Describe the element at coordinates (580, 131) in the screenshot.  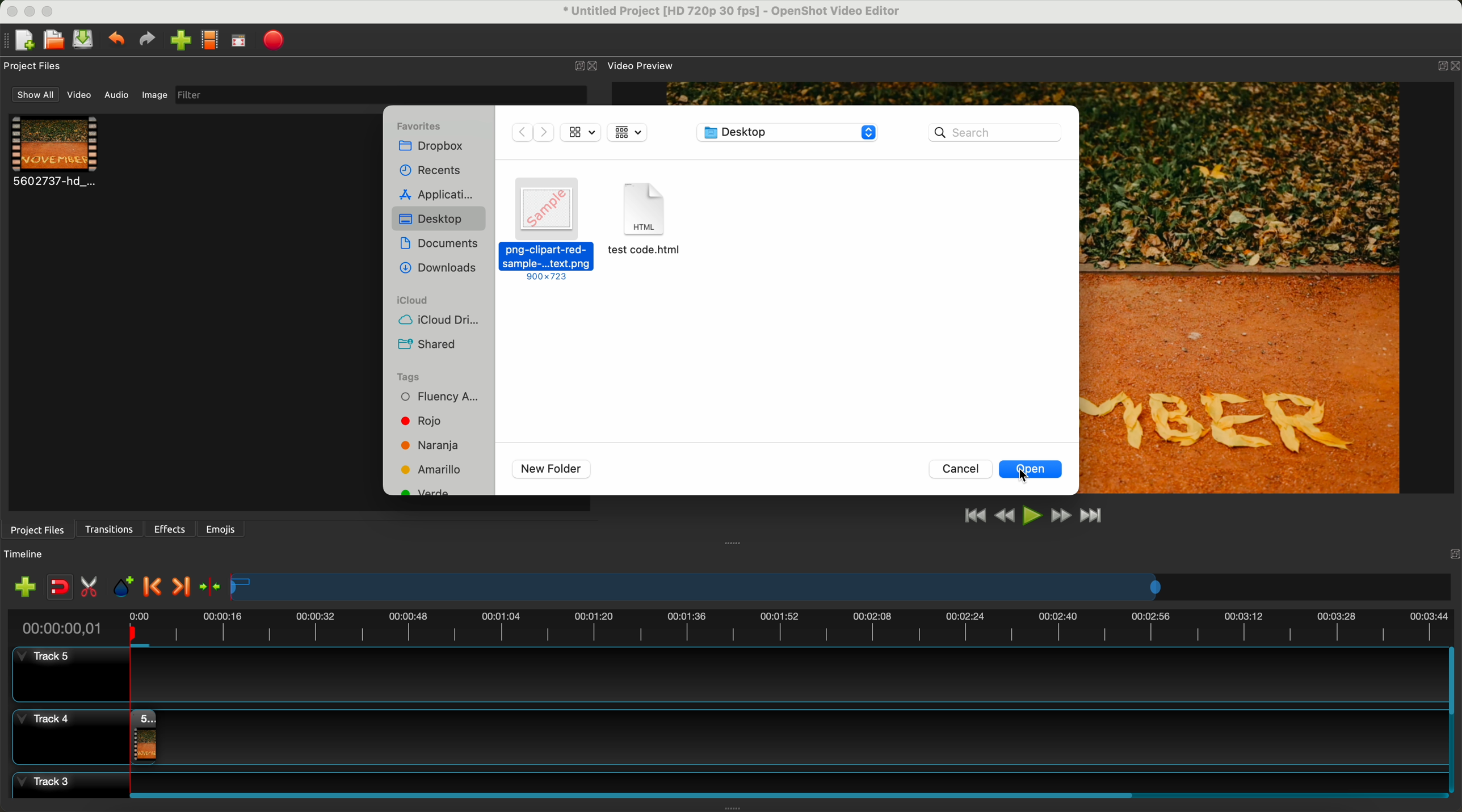
I see `view` at that location.